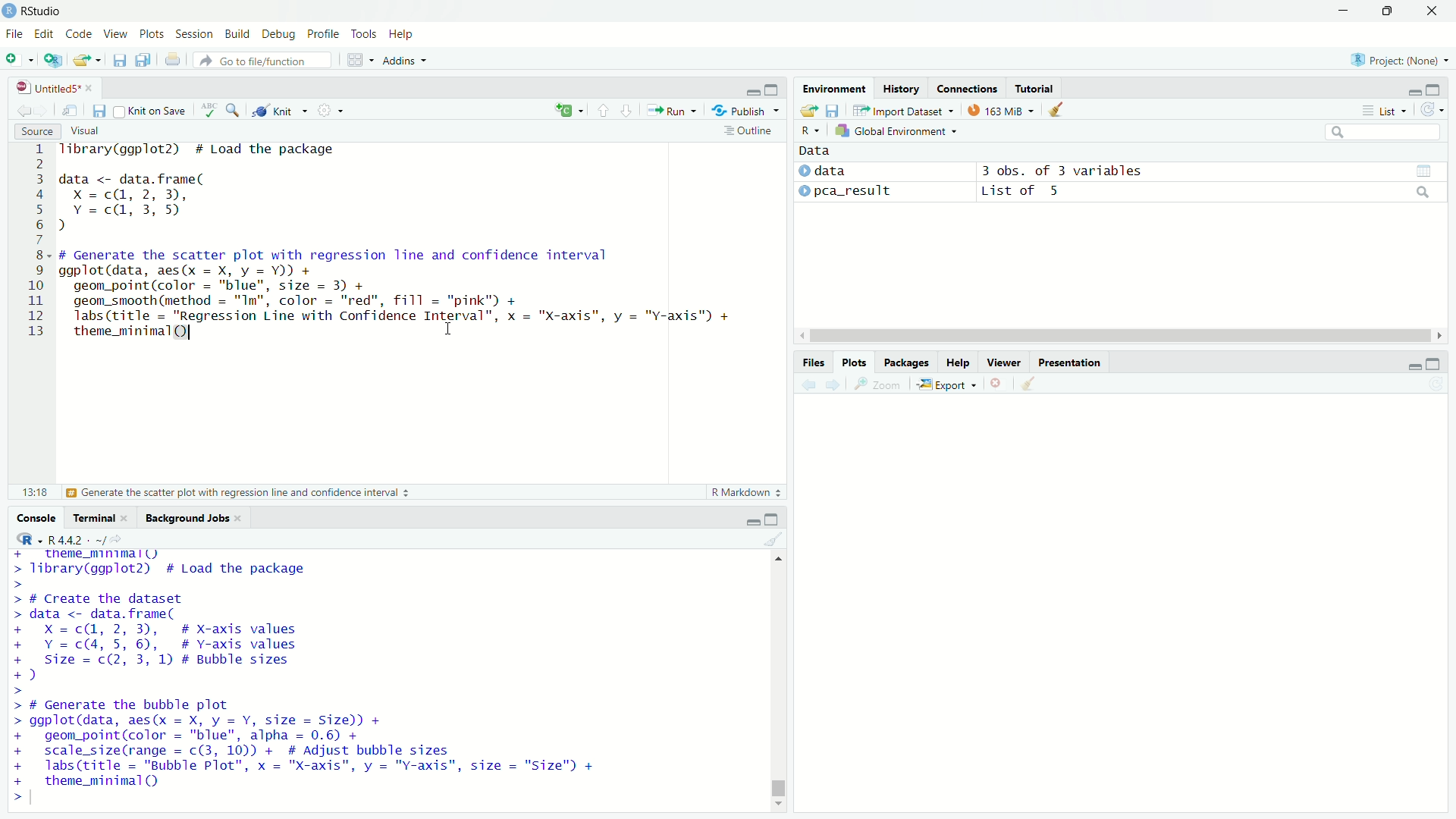 This screenshot has height=819, width=1456. I want to click on Go to next section/chunk, so click(626, 108).